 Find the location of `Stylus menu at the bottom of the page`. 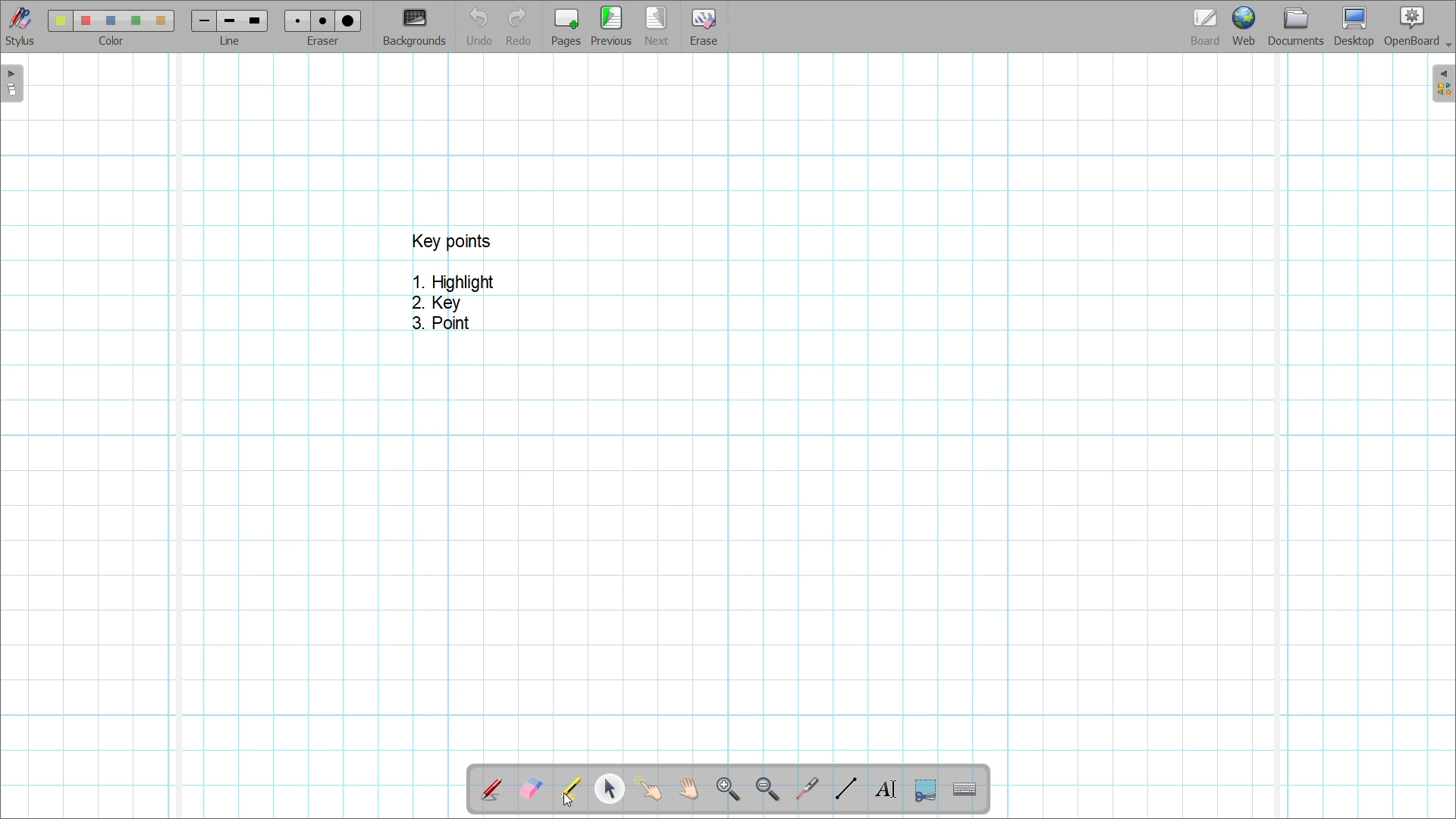

Stylus menu at the bottom of the page is located at coordinates (21, 27).